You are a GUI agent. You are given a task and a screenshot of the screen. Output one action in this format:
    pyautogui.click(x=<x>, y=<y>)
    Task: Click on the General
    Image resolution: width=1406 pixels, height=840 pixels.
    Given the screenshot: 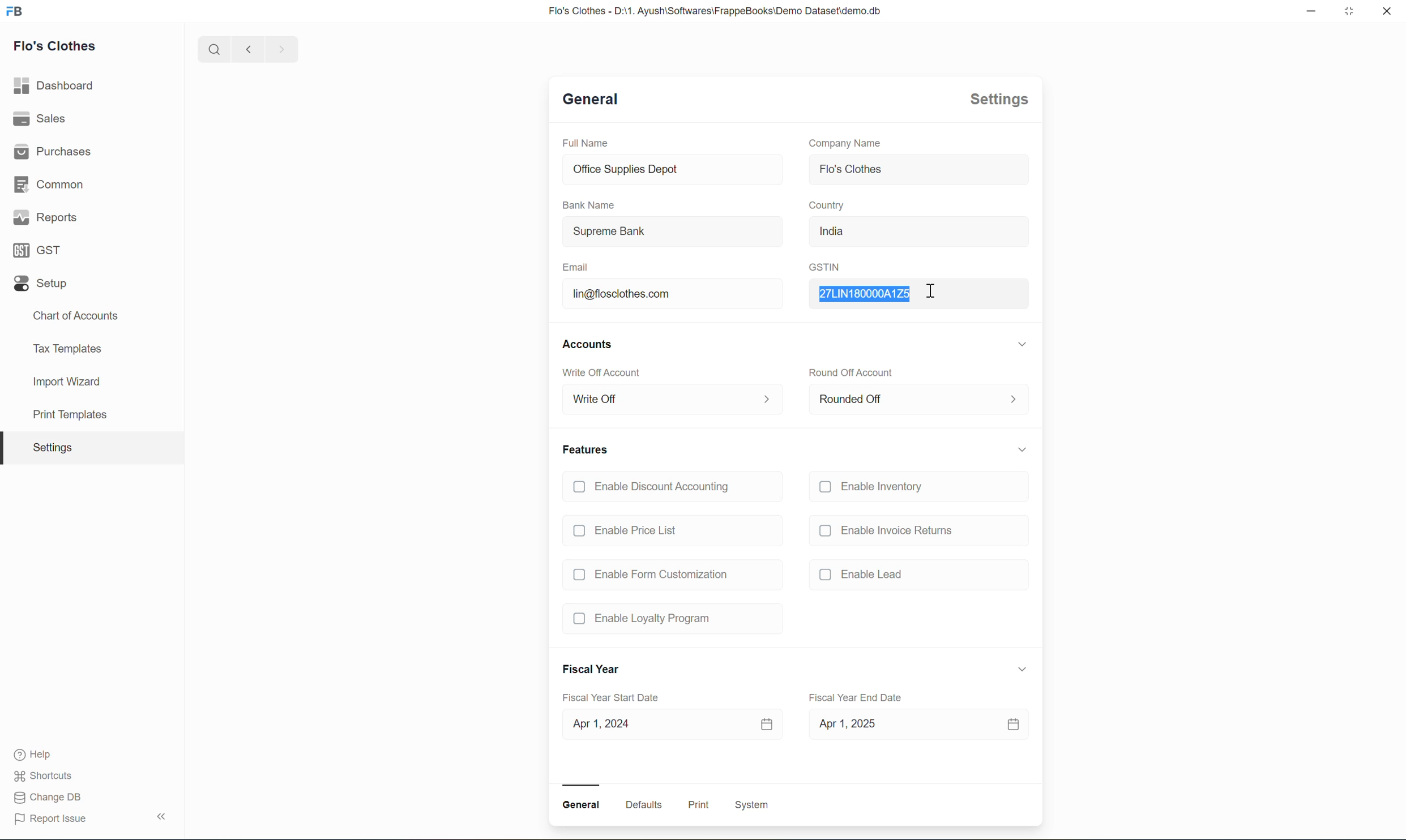 What is the action you would take?
    pyautogui.click(x=587, y=98)
    